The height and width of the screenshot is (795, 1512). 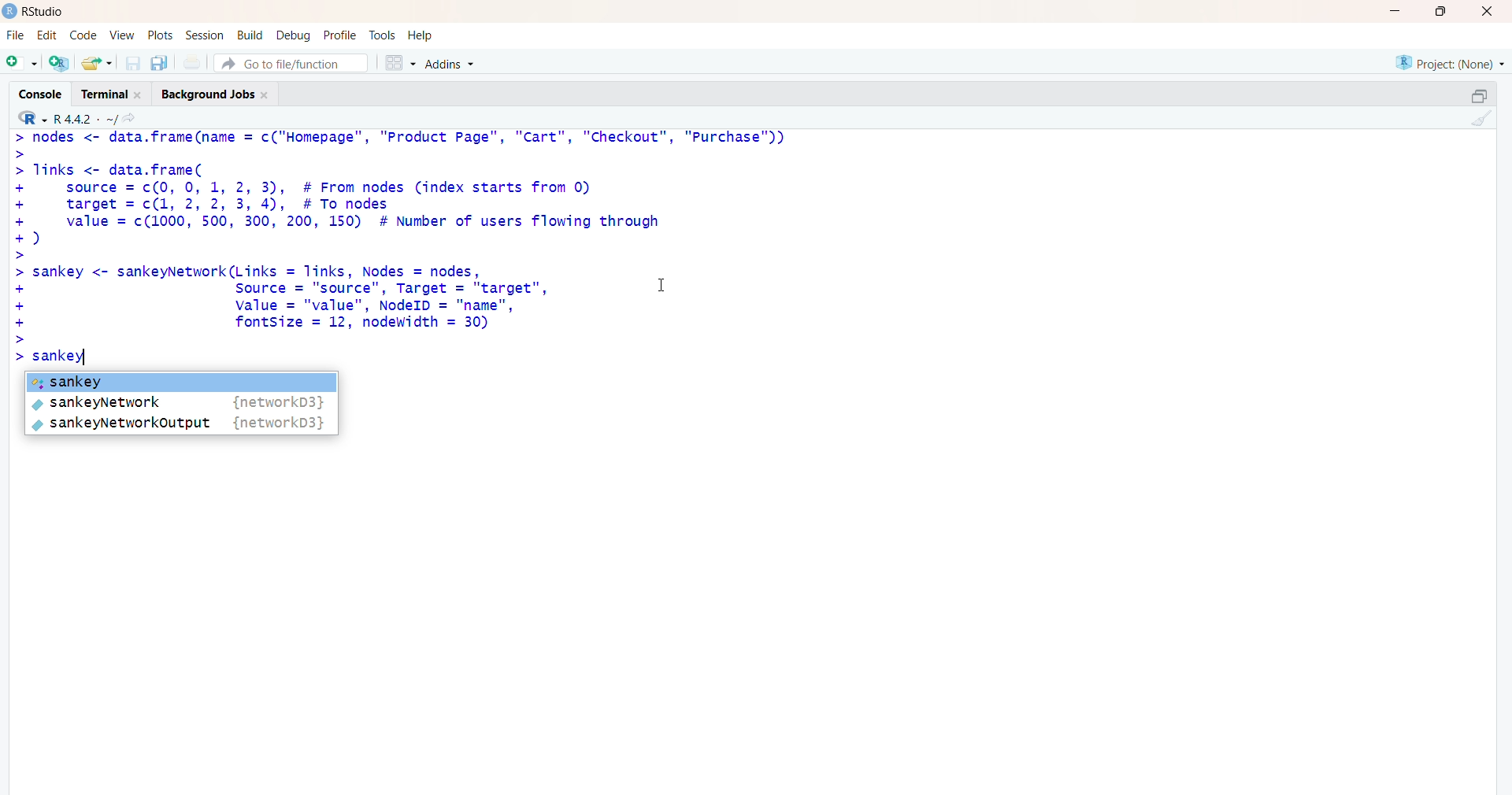 What do you see at coordinates (194, 62) in the screenshot?
I see `file` at bounding box center [194, 62].